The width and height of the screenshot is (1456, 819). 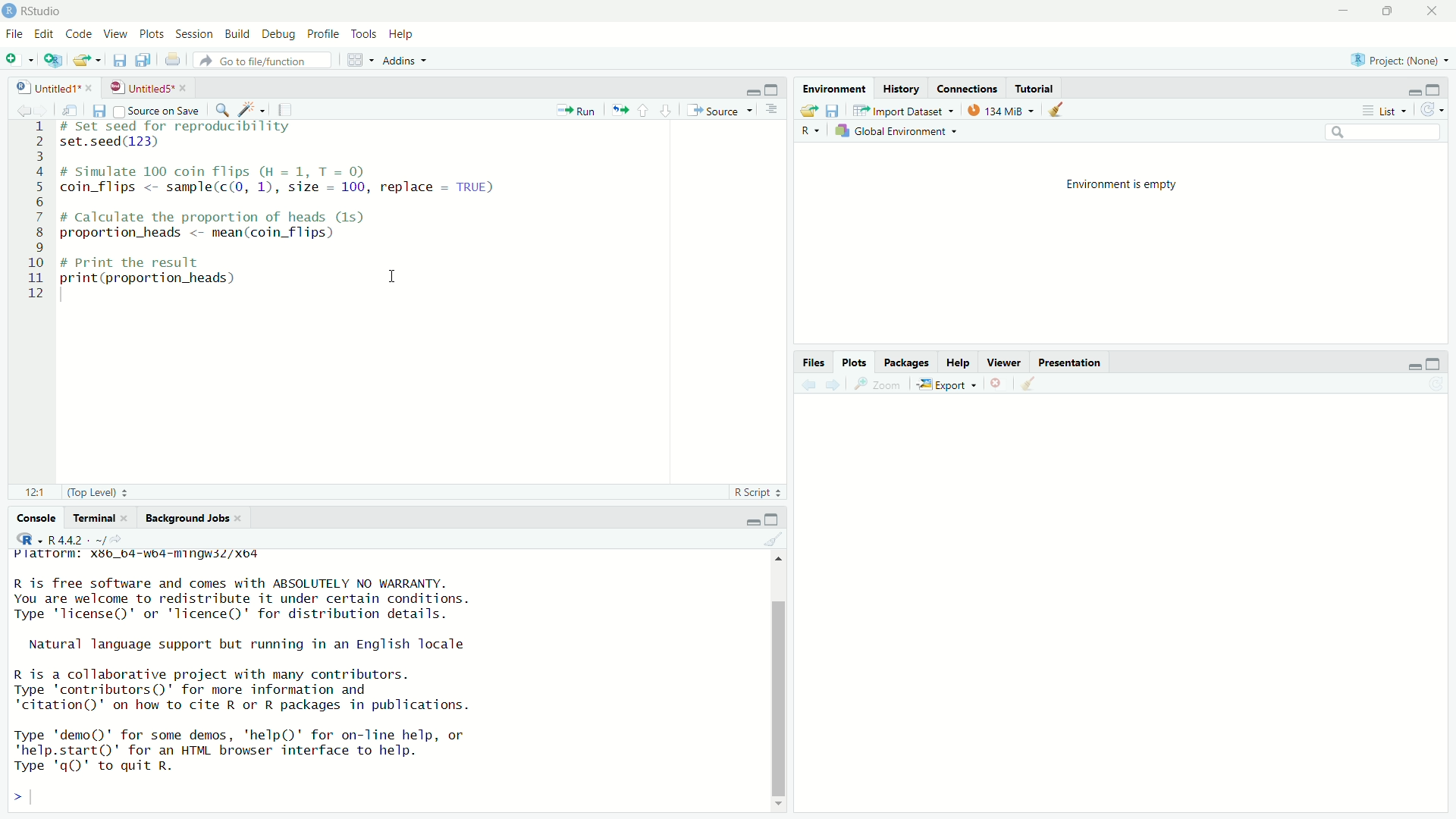 I want to click on # Print the result, so click(x=146, y=261).